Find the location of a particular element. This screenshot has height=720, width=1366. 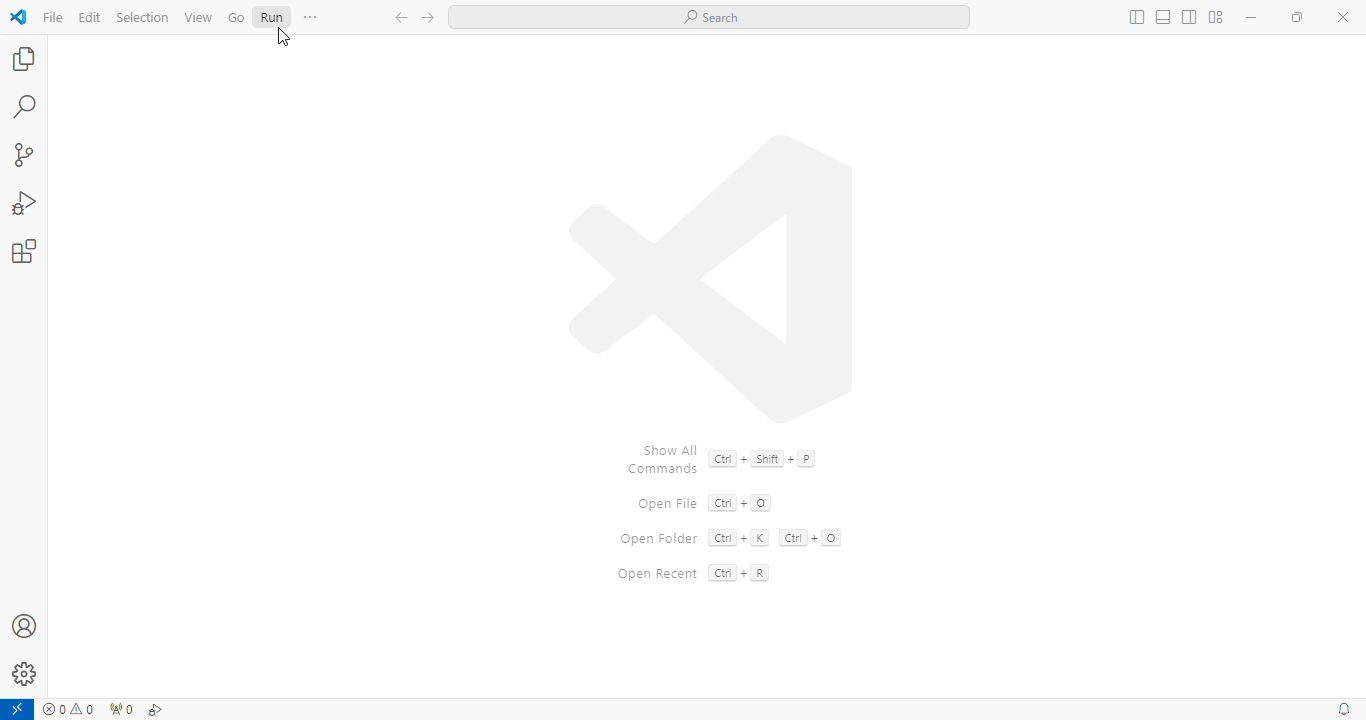

minimize is located at coordinates (1251, 17).